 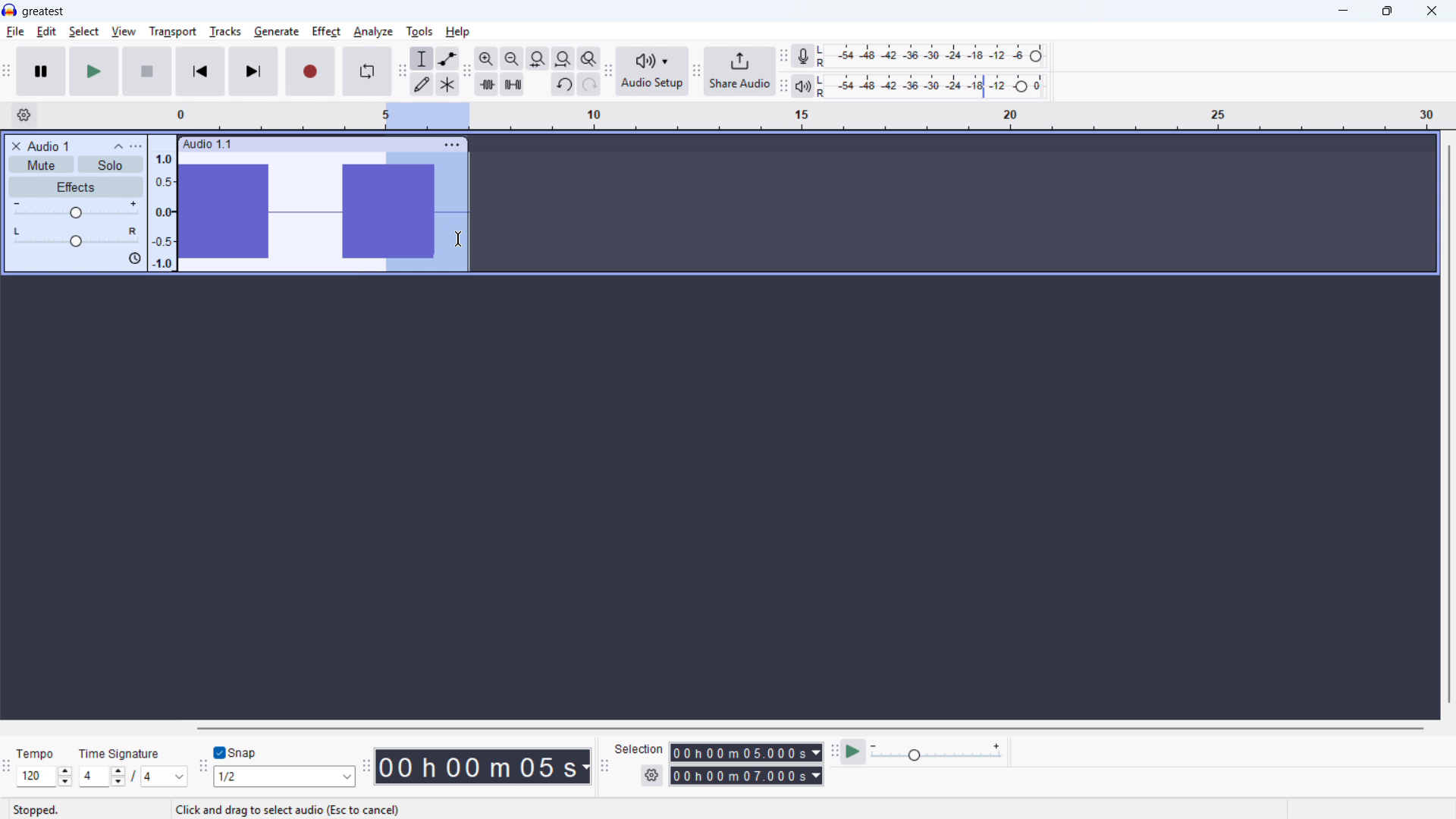 I want to click on Recording metre , so click(x=802, y=56).